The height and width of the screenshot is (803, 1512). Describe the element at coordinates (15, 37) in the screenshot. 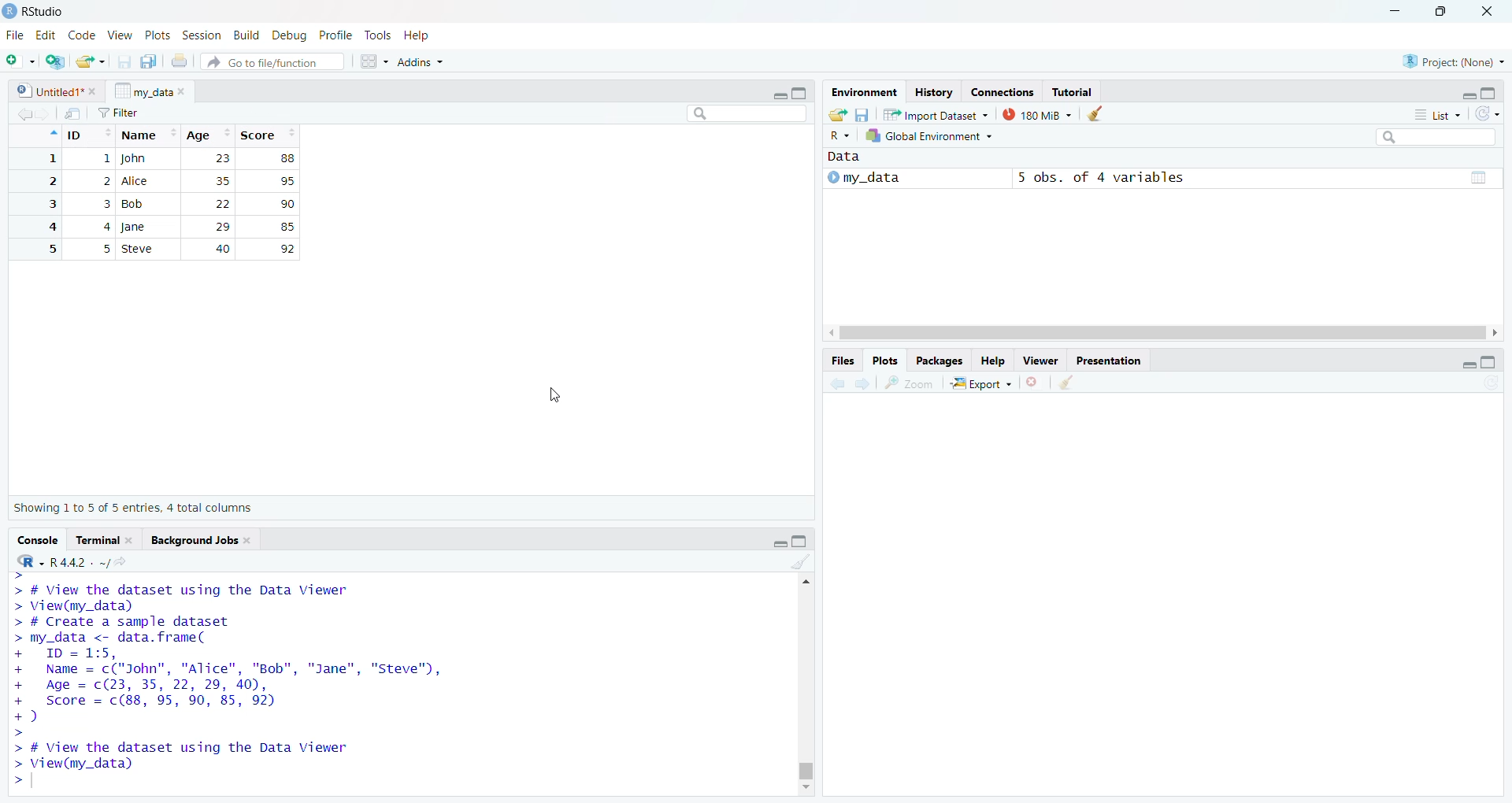

I see `file` at that location.